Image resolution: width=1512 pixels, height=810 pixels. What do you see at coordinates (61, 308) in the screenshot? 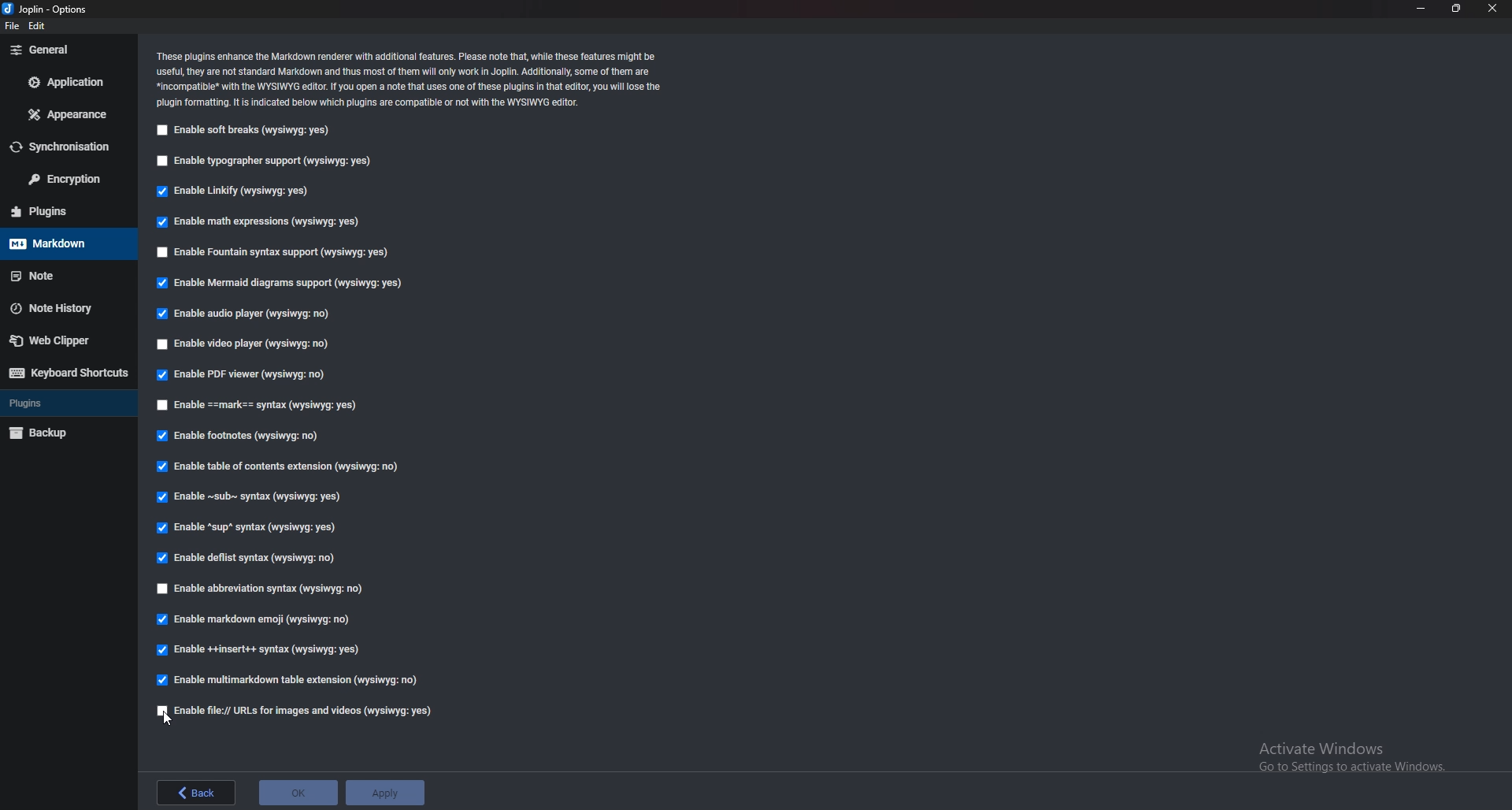
I see `Note history` at bounding box center [61, 308].